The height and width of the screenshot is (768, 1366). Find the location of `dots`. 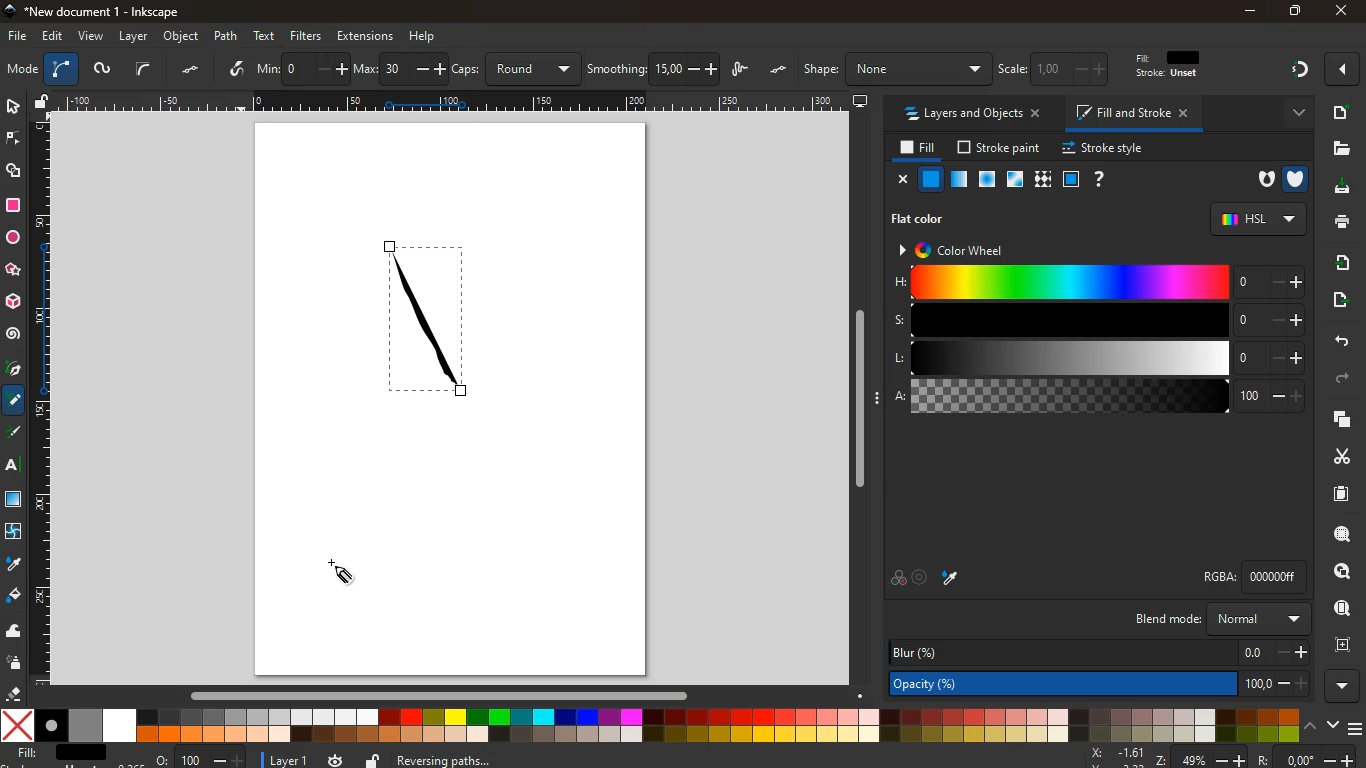

dots is located at coordinates (193, 70).